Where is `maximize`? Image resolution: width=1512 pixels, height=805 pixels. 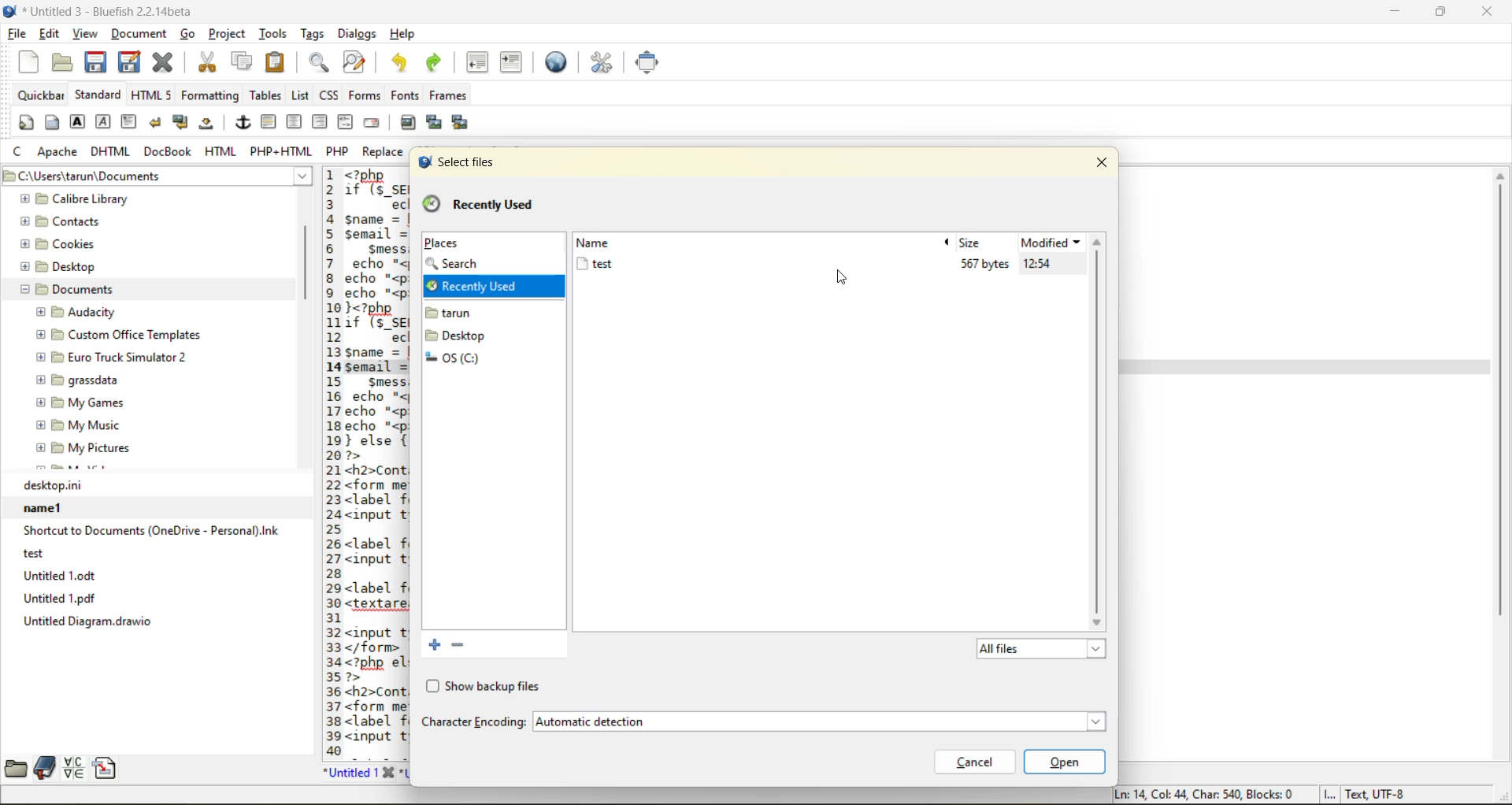 maximize is located at coordinates (1442, 14).